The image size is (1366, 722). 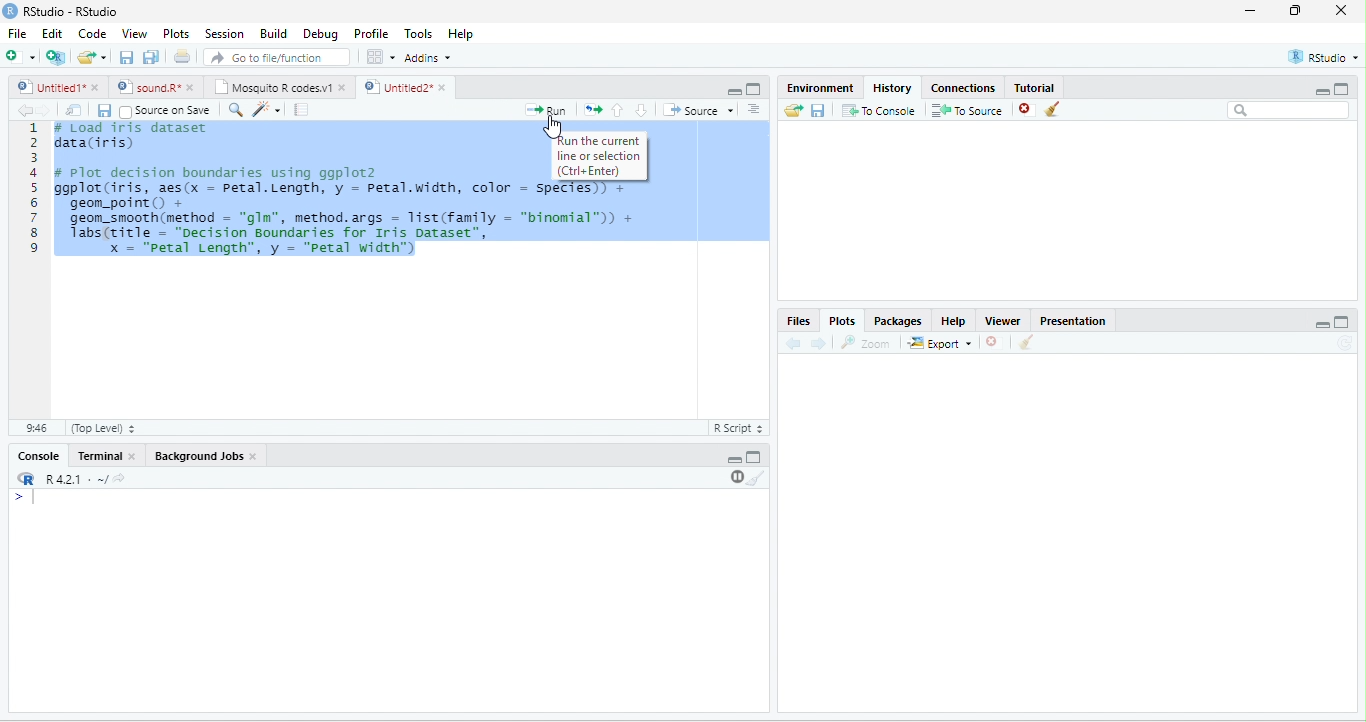 What do you see at coordinates (892, 88) in the screenshot?
I see `History` at bounding box center [892, 88].